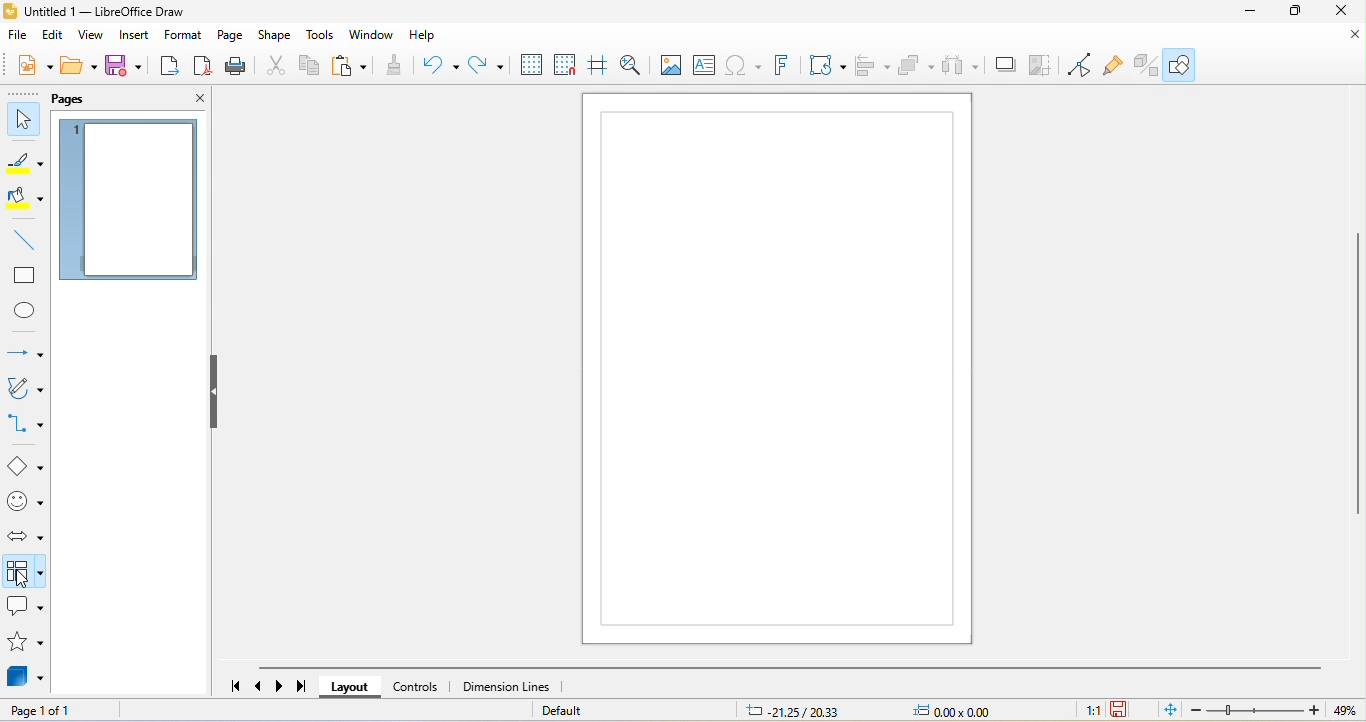  What do you see at coordinates (26, 571) in the screenshot?
I see `flow chart` at bounding box center [26, 571].